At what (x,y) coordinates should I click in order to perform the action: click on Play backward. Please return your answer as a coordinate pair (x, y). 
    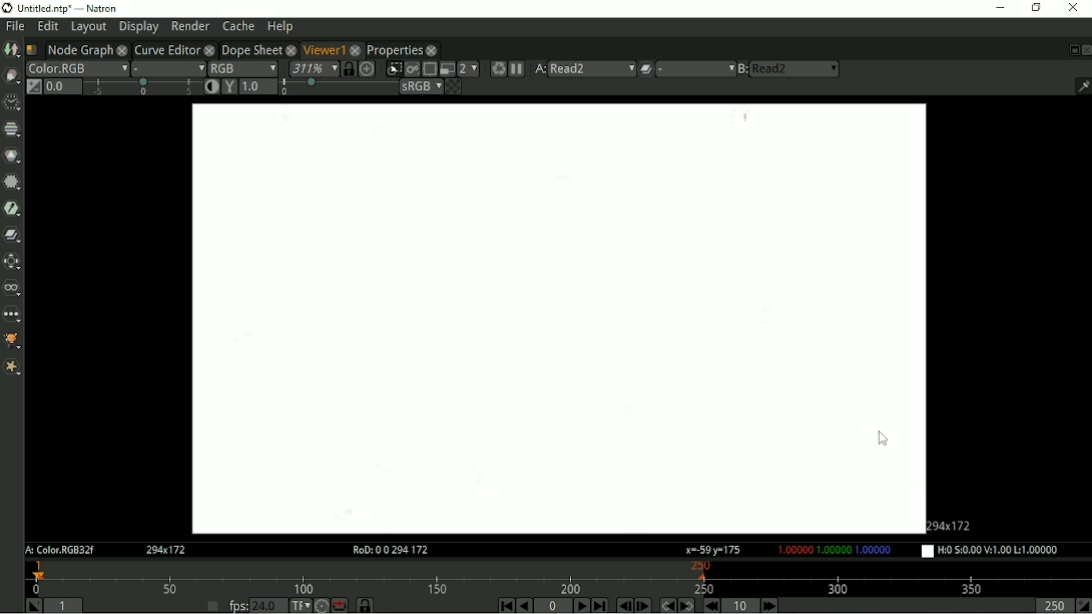
    Looking at the image, I should click on (525, 606).